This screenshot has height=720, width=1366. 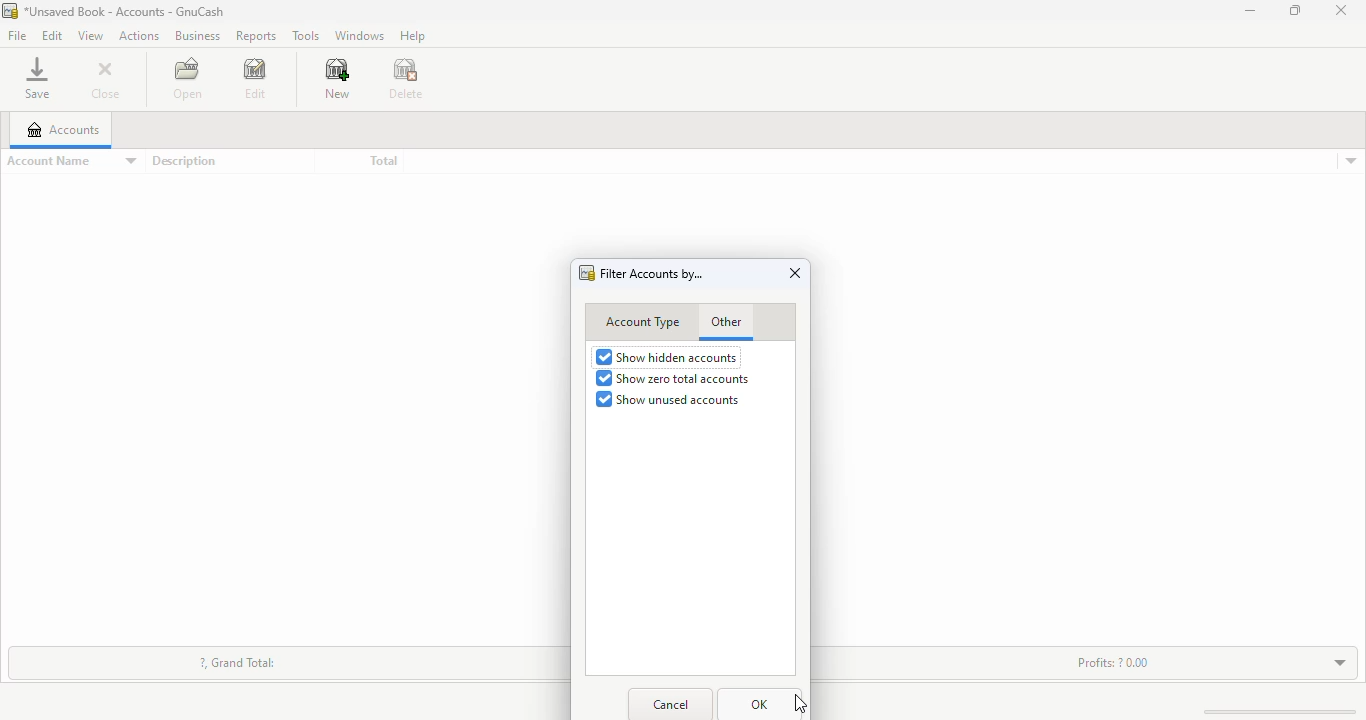 I want to click on cursor, so click(x=801, y=705).